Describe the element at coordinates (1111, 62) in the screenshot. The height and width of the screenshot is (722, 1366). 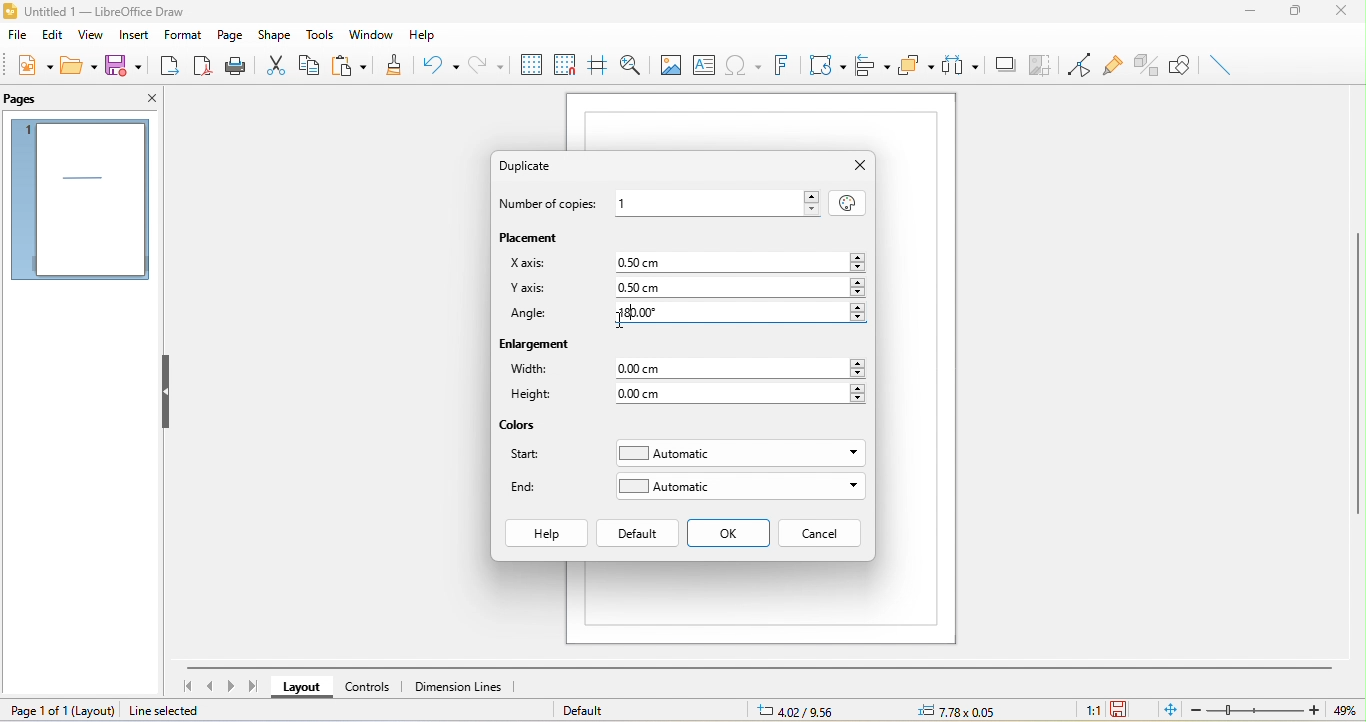
I see `gluepoint function` at that location.